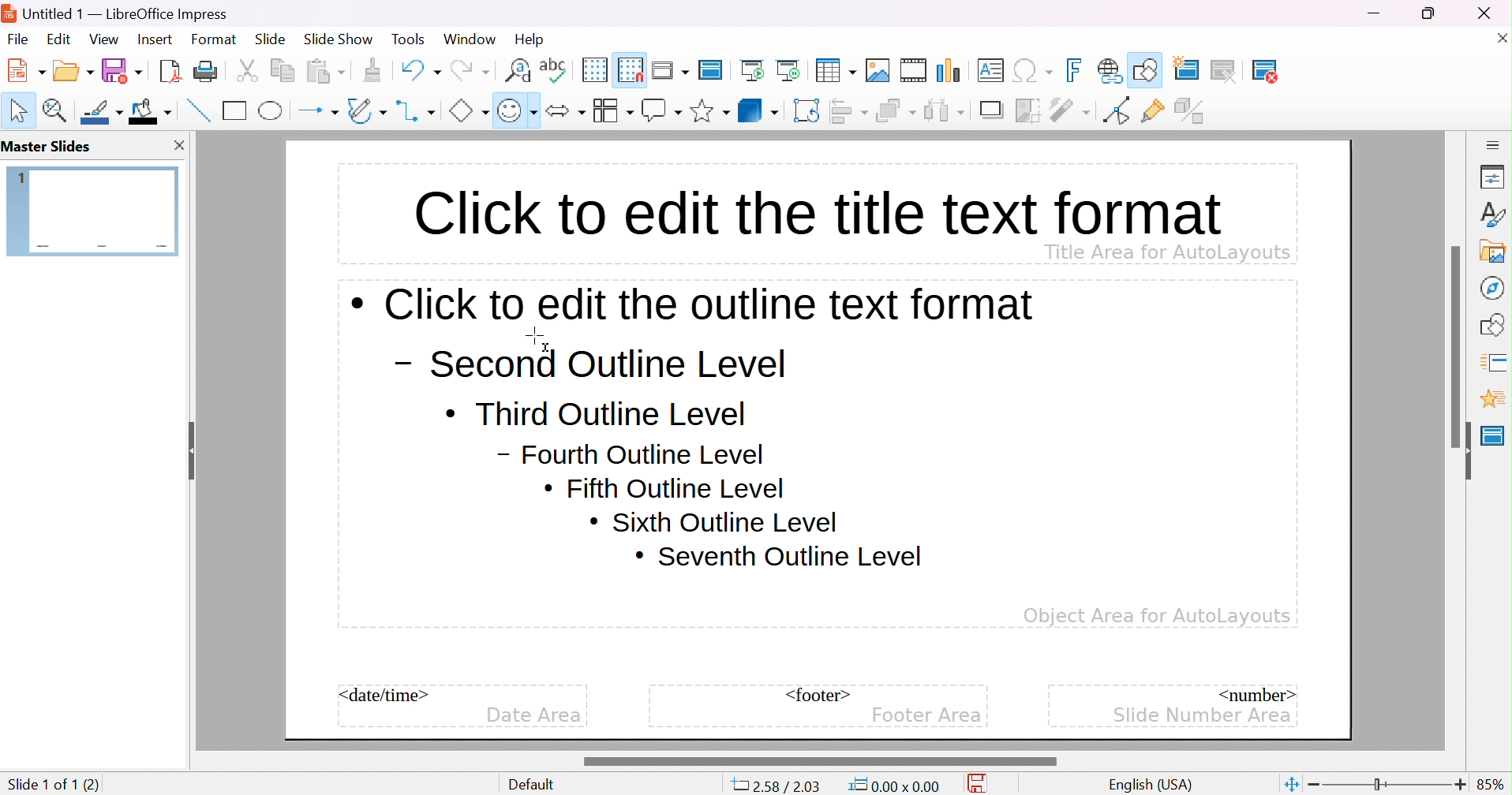 Image resolution: width=1512 pixels, height=795 pixels. I want to click on click to edit the title text format, so click(814, 209).